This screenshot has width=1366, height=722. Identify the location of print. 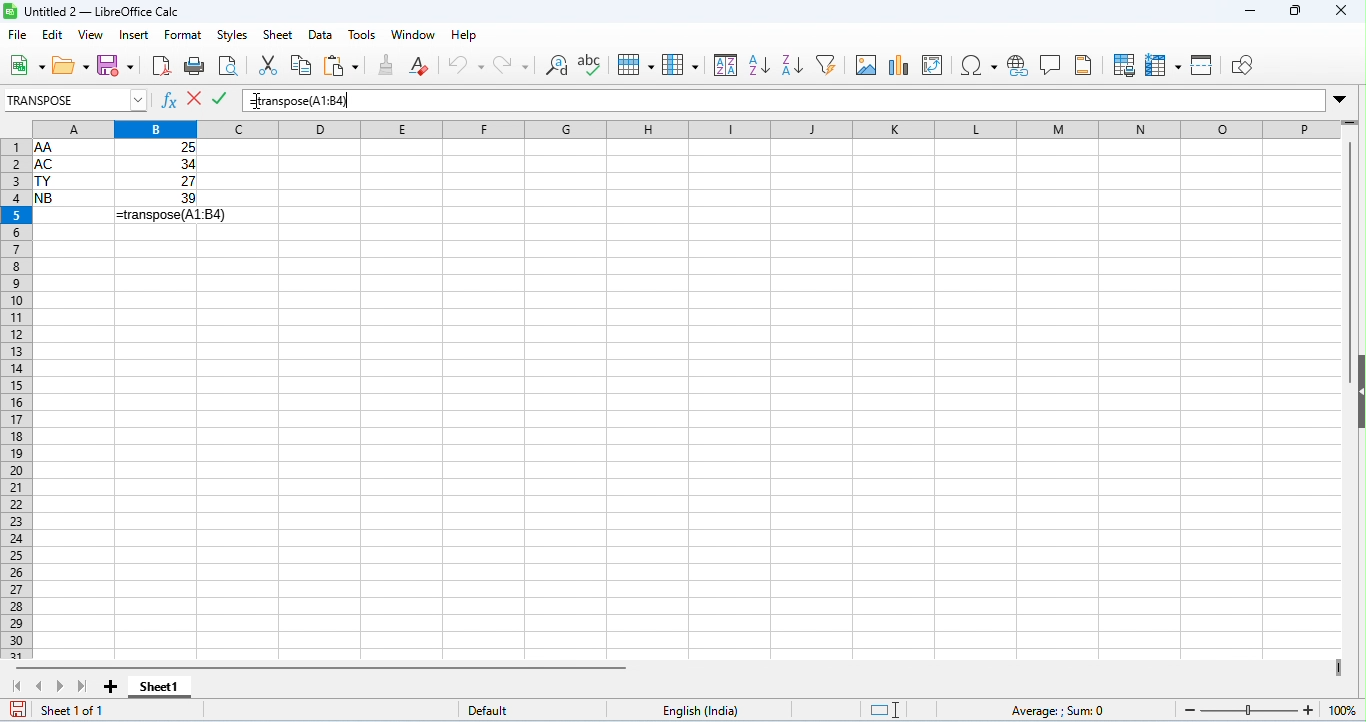
(193, 68).